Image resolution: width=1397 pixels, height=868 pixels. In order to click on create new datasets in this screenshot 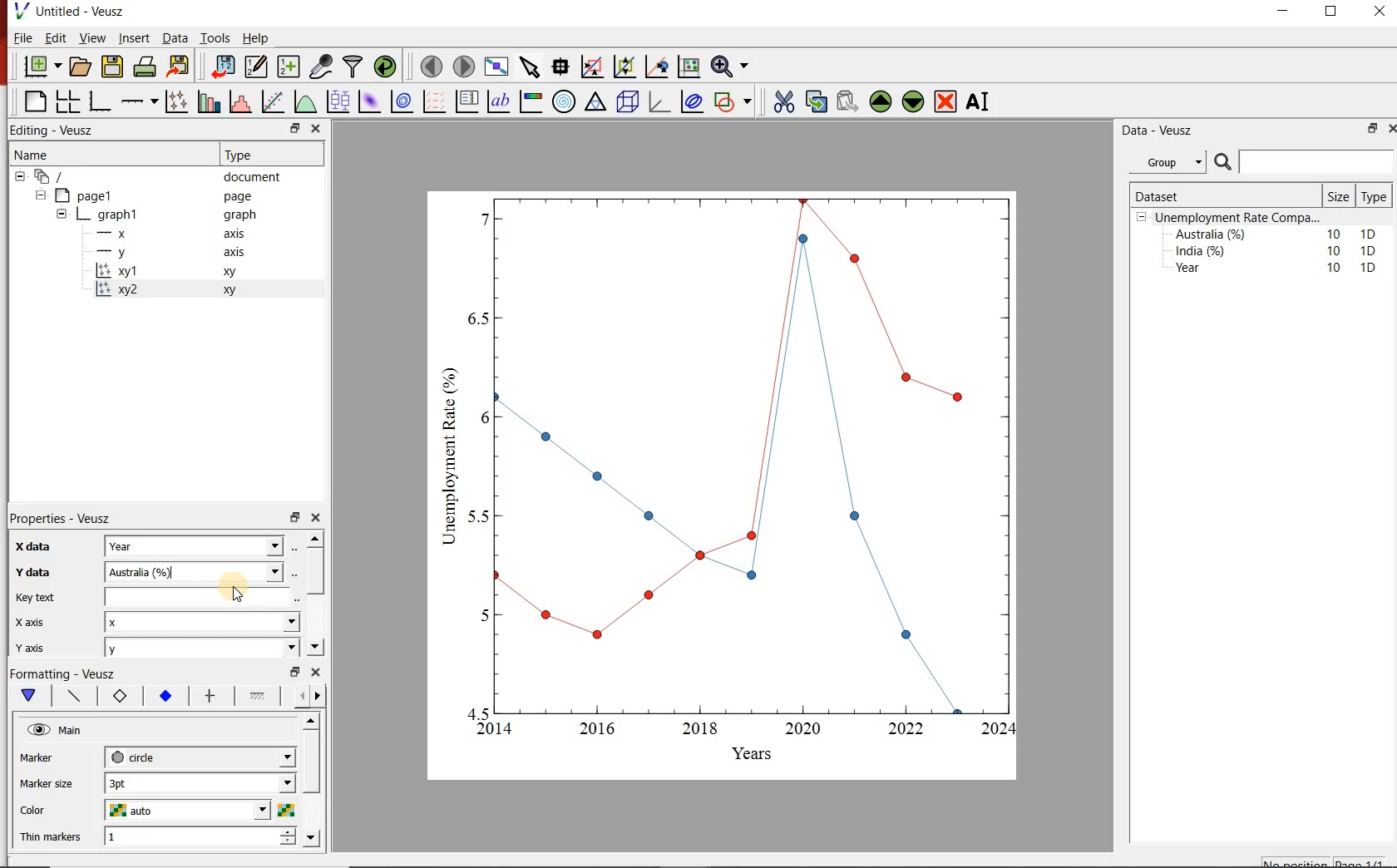, I will do `click(288, 67)`.